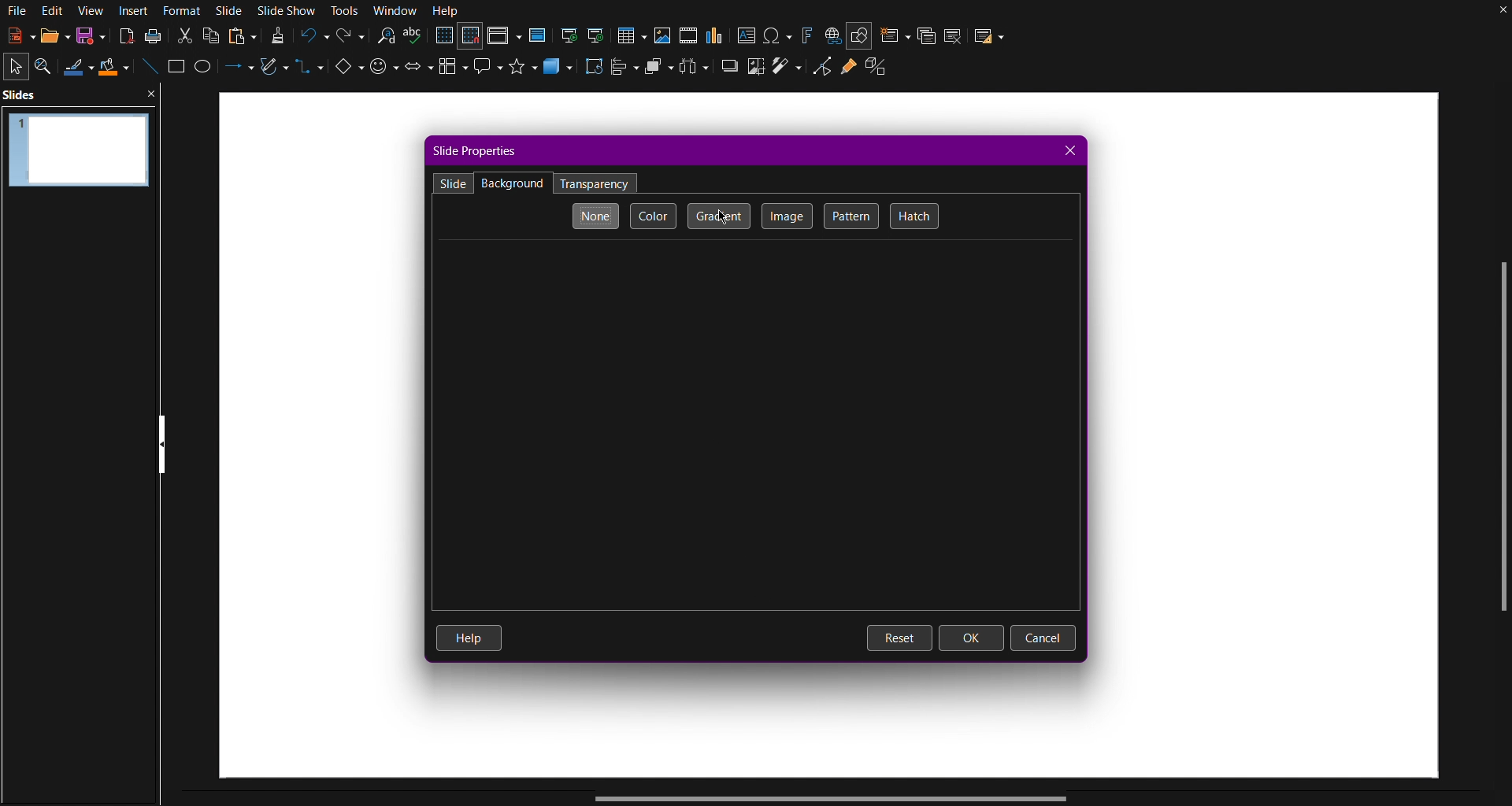 This screenshot has width=1512, height=806. What do you see at coordinates (395, 11) in the screenshot?
I see `Window` at bounding box center [395, 11].